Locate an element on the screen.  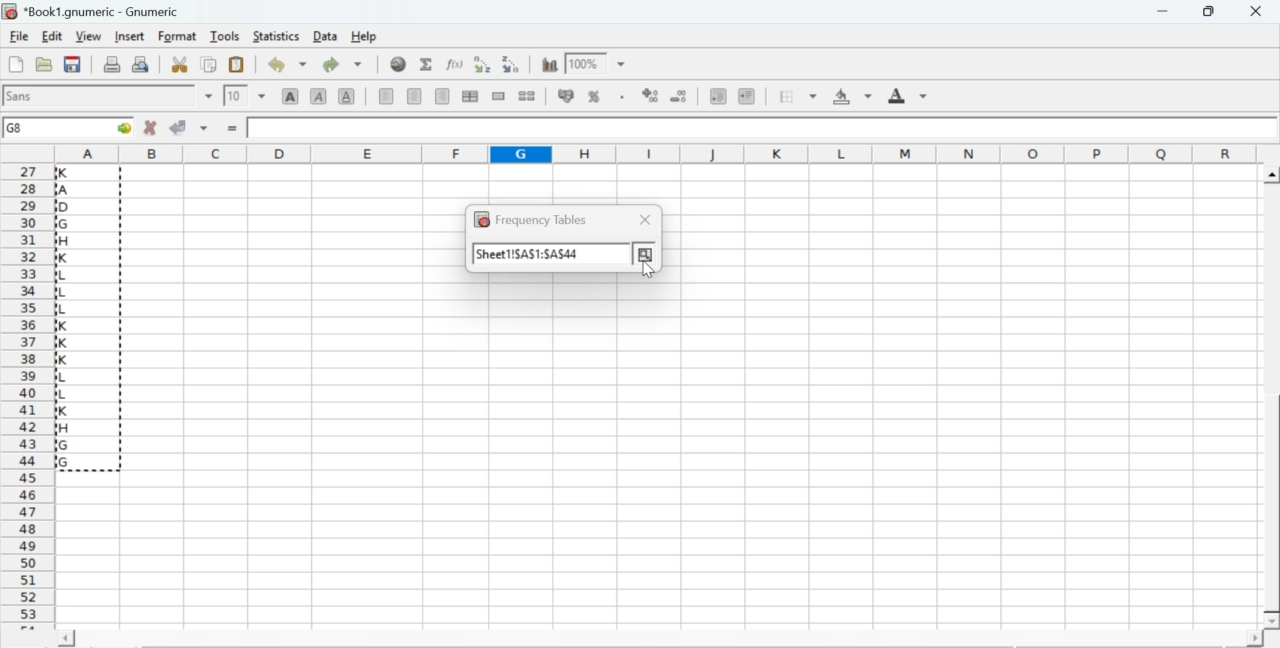
bold is located at coordinates (291, 95).